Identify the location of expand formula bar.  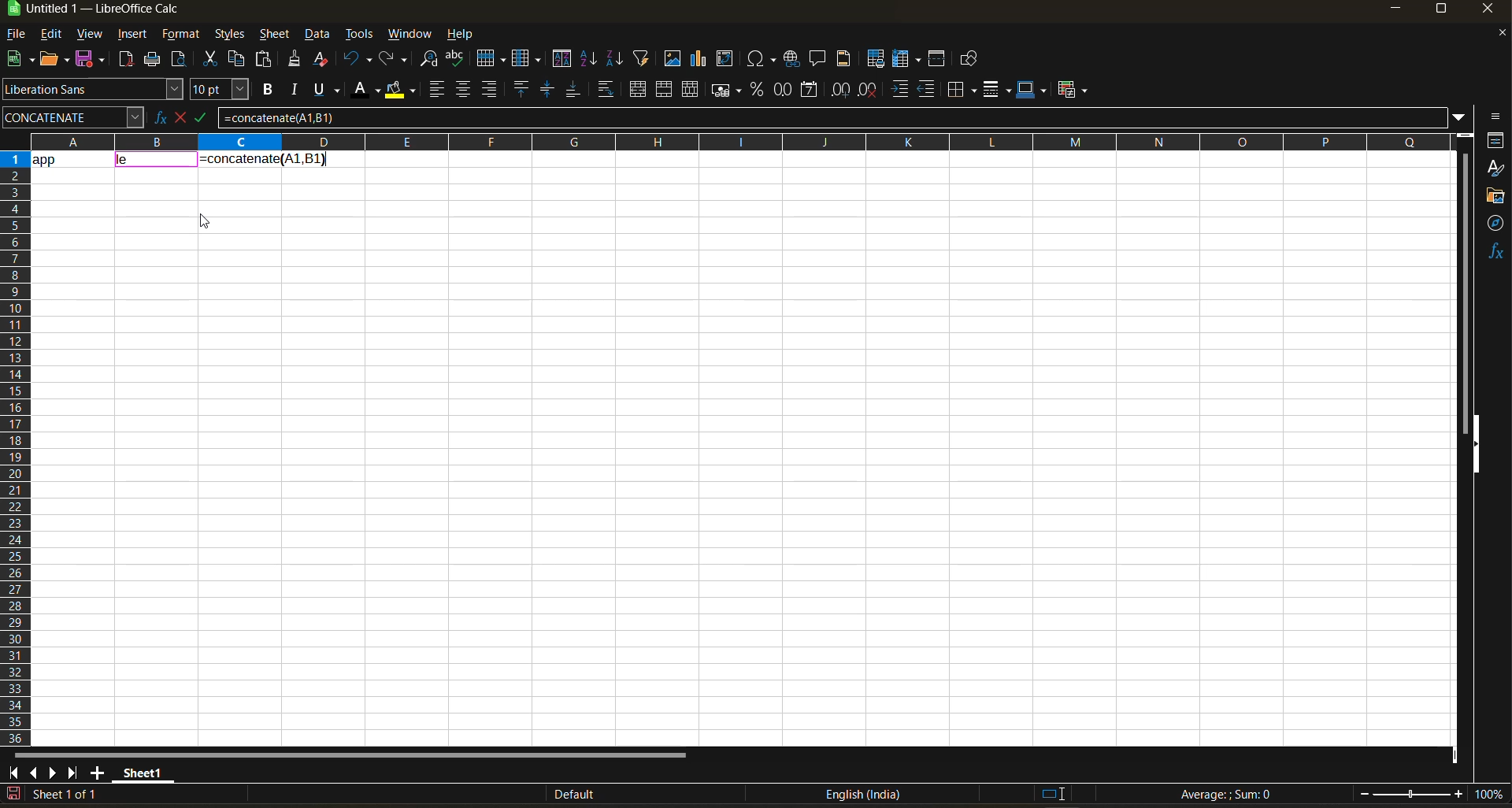
(1459, 116).